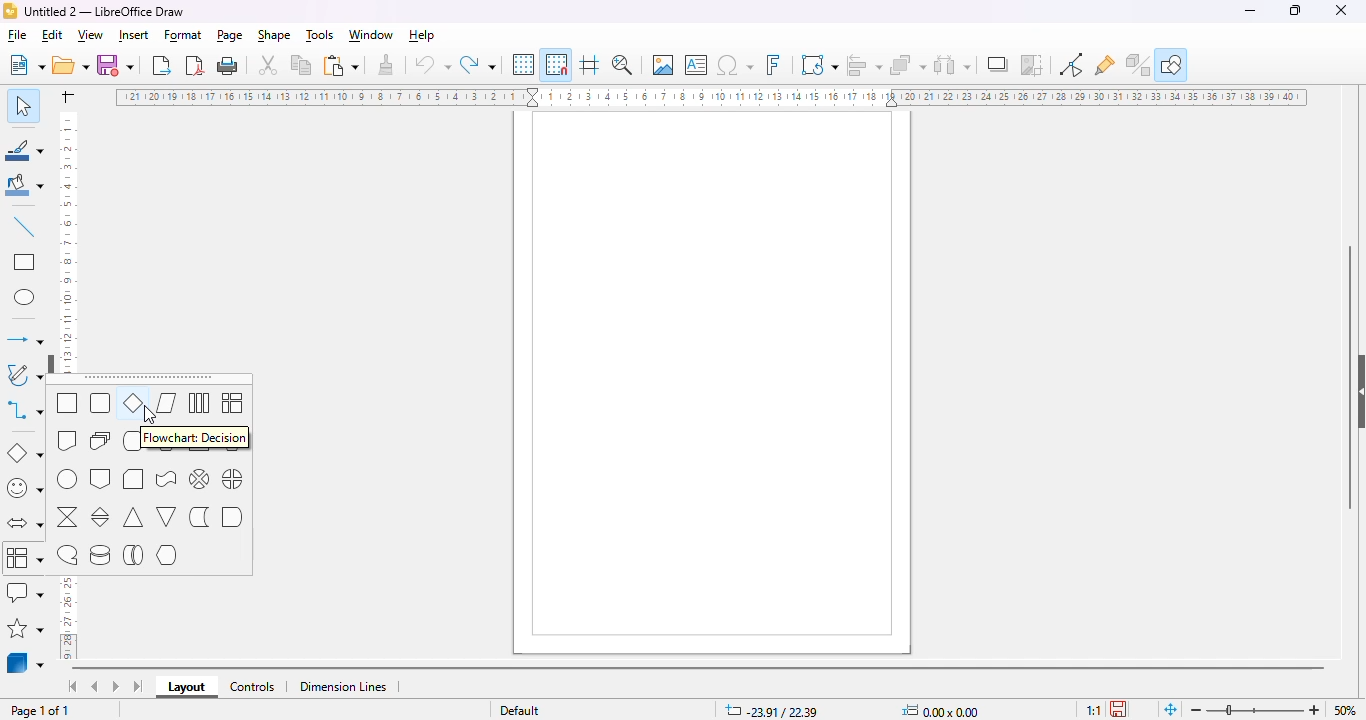  Describe the element at coordinates (67, 439) in the screenshot. I see `flowchart: document` at that location.